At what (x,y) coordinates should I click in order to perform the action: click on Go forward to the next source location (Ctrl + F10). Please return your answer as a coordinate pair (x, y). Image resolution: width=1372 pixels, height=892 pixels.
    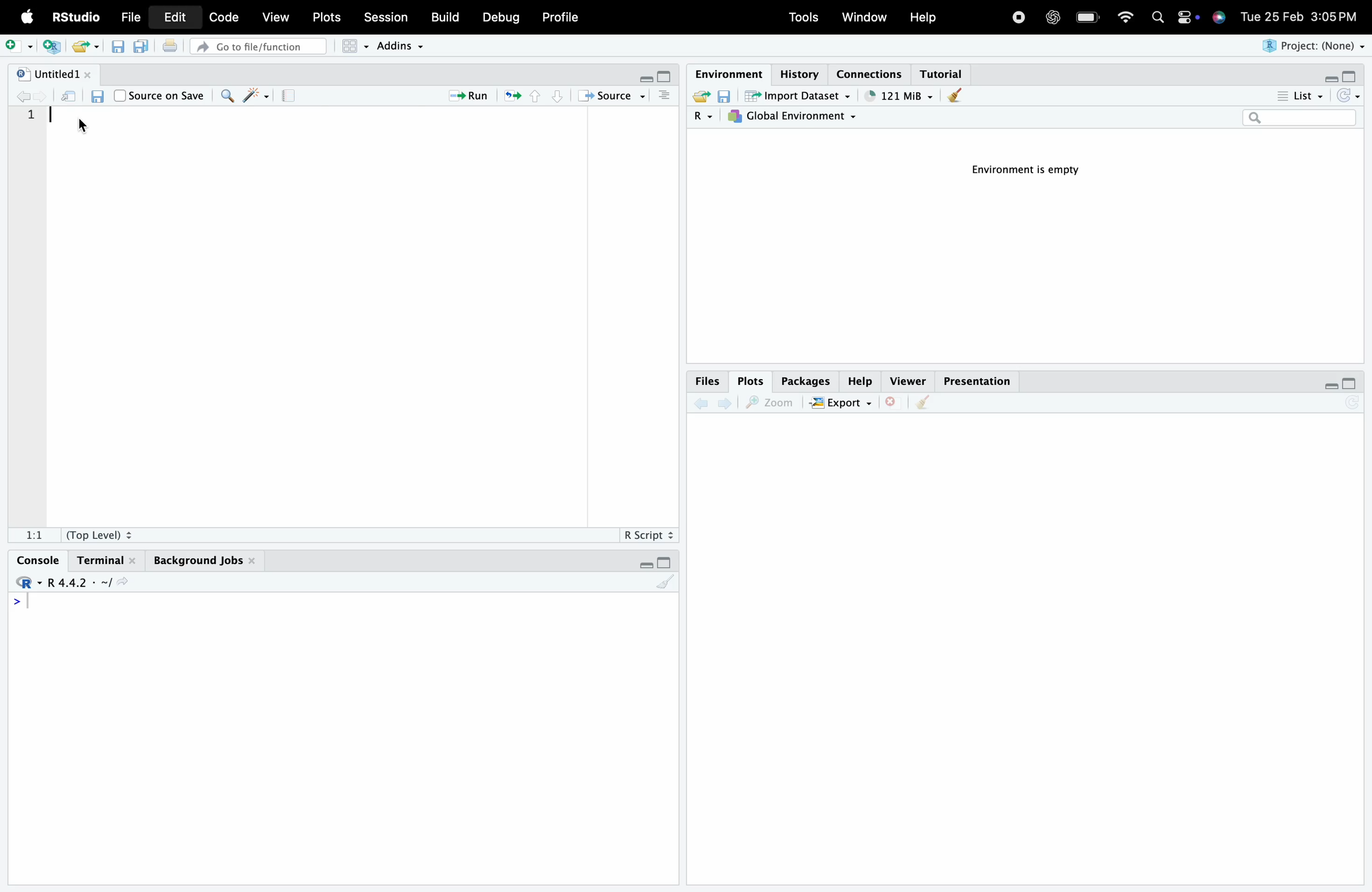
    Looking at the image, I should click on (42, 96).